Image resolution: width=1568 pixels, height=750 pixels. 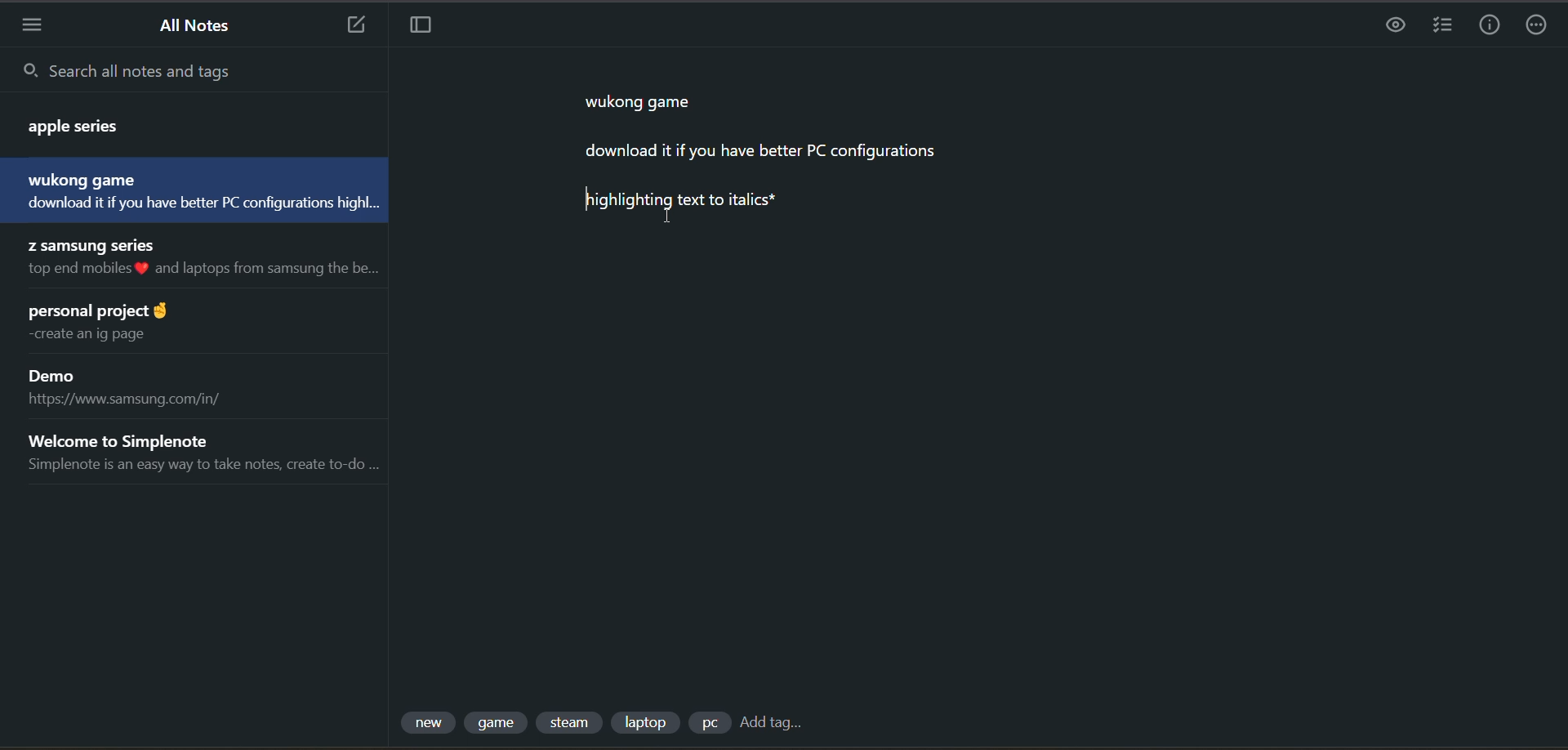 What do you see at coordinates (644, 721) in the screenshot?
I see `tag 4` at bounding box center [644, 721].